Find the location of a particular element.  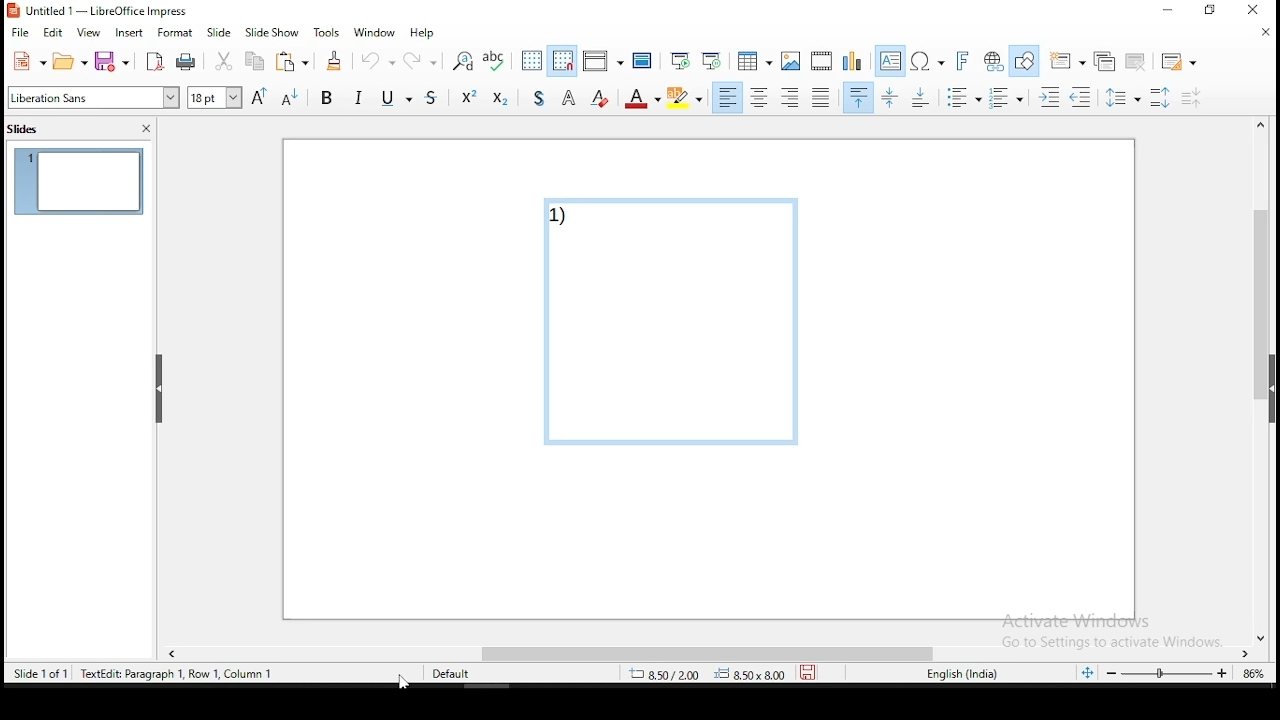

copy is located at coordinates (256, 62).